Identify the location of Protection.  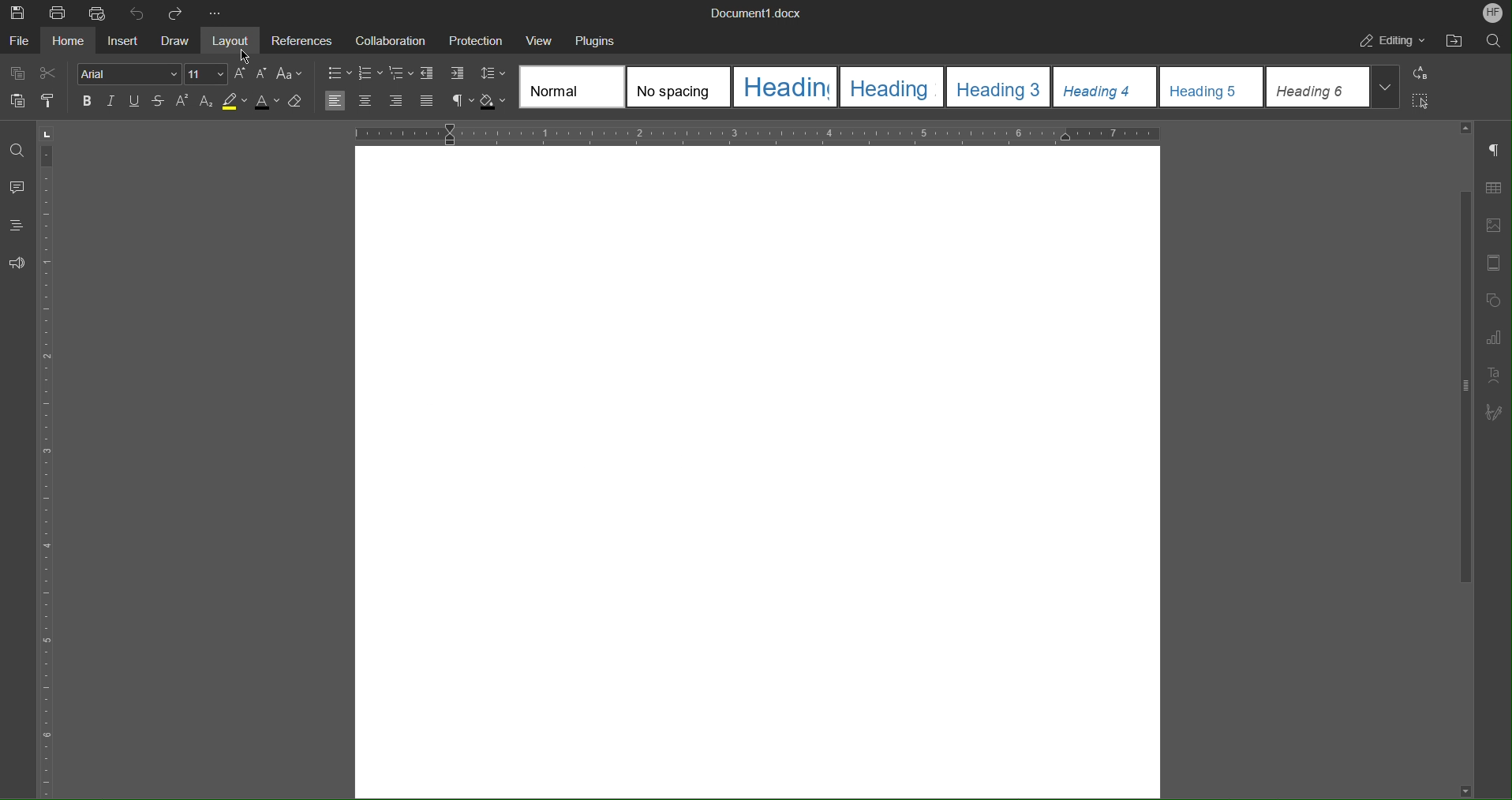
(476, 39).